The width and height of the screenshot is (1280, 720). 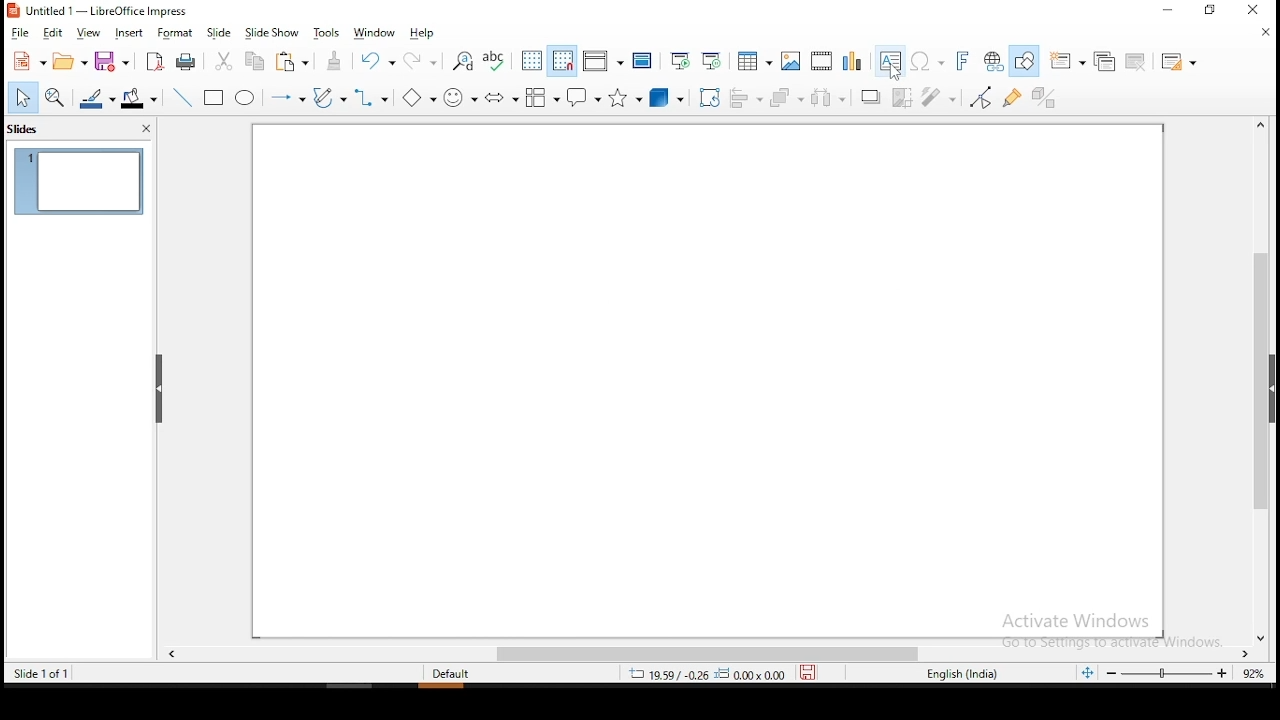 What do you see at coordinates (215, 96) in the screenshot?
I see `rectangle` at bounding box center [215, 96].